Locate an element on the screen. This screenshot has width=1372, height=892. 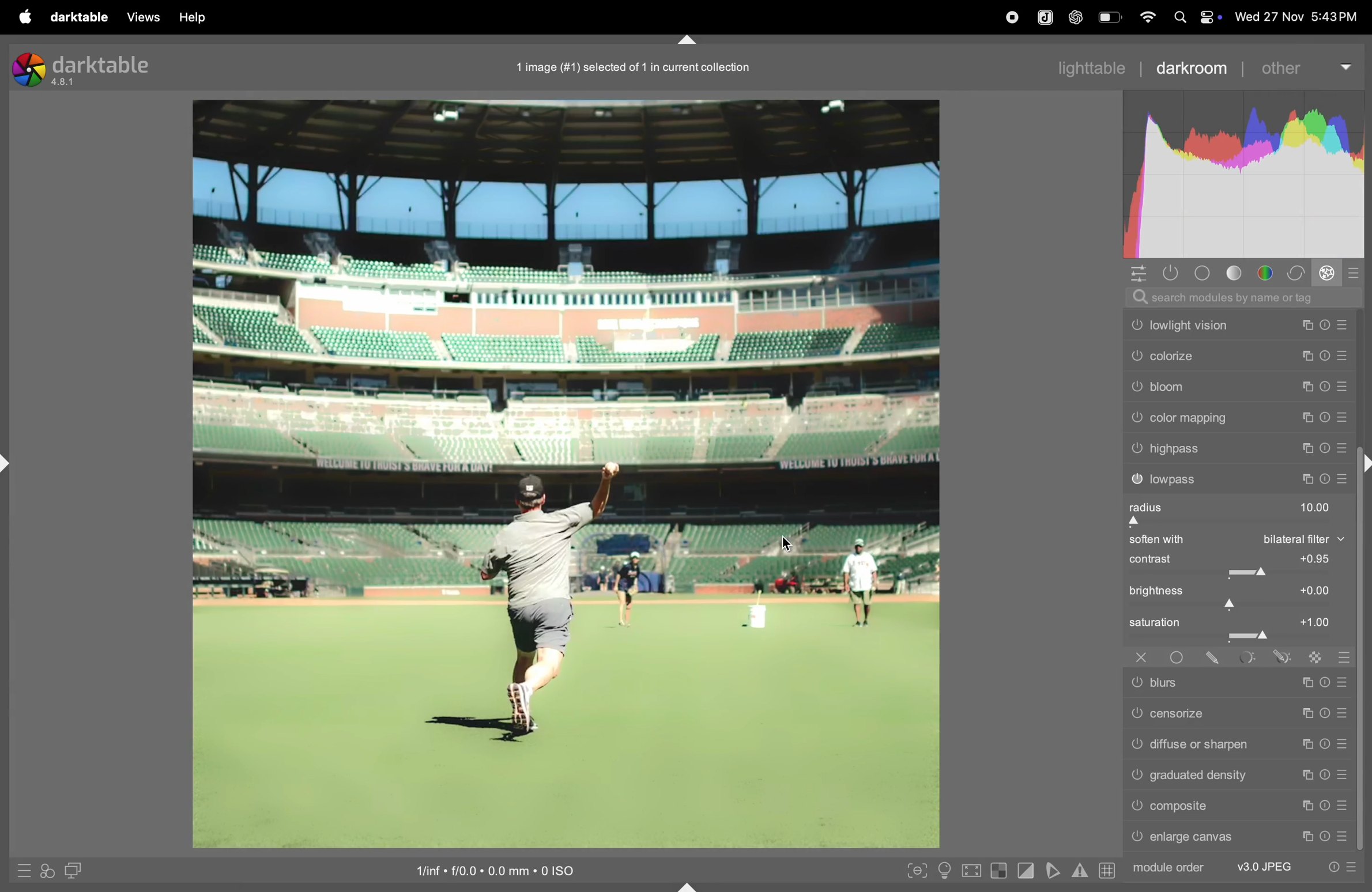
colorize is located at coordinates (1237, 358).